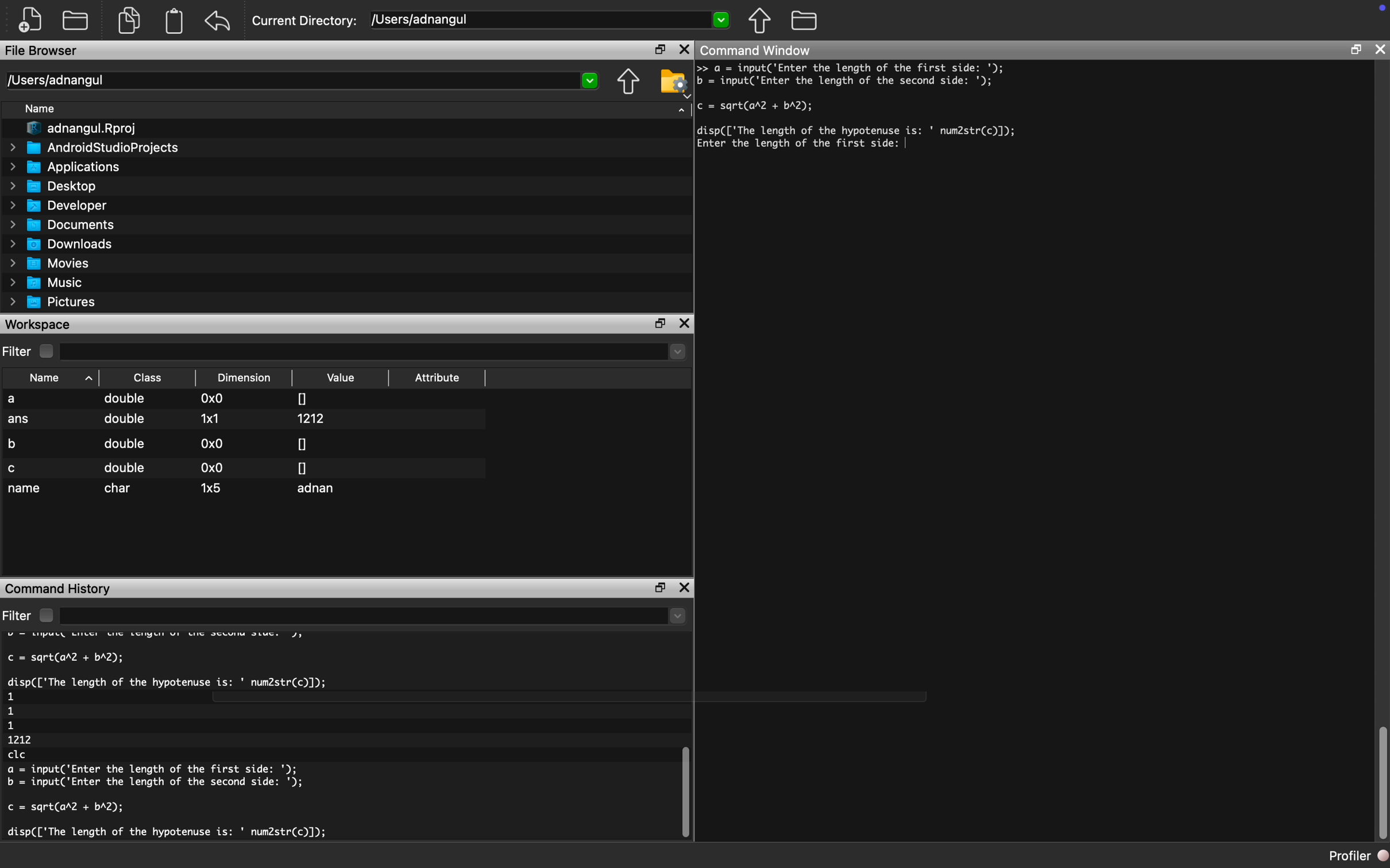 Image resolution: width=1390 pixels, height=868 pixels. I want to click on Command Window, so click(756, 49).